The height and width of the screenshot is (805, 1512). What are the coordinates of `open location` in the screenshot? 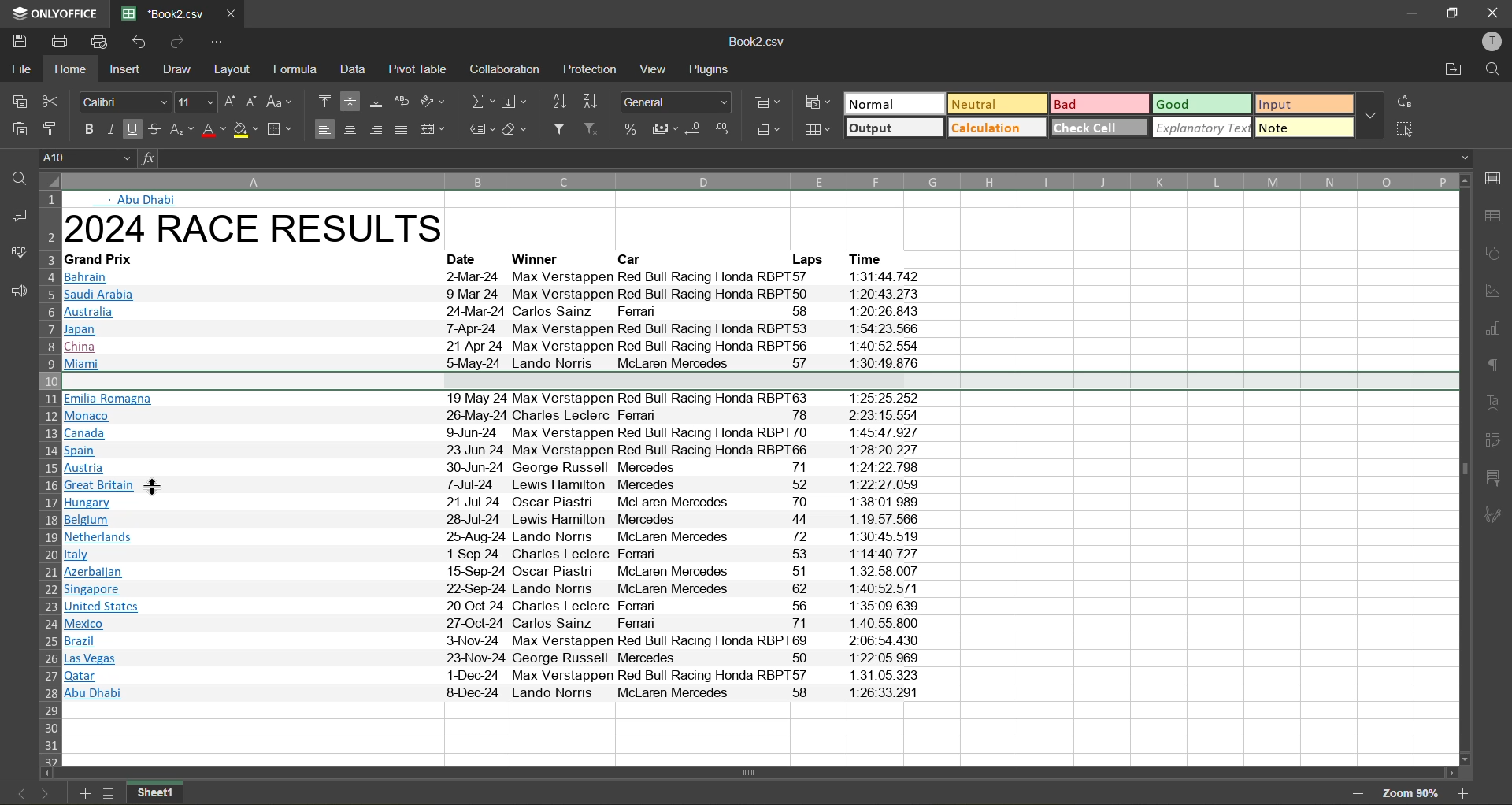 It's located at (1451, 72).